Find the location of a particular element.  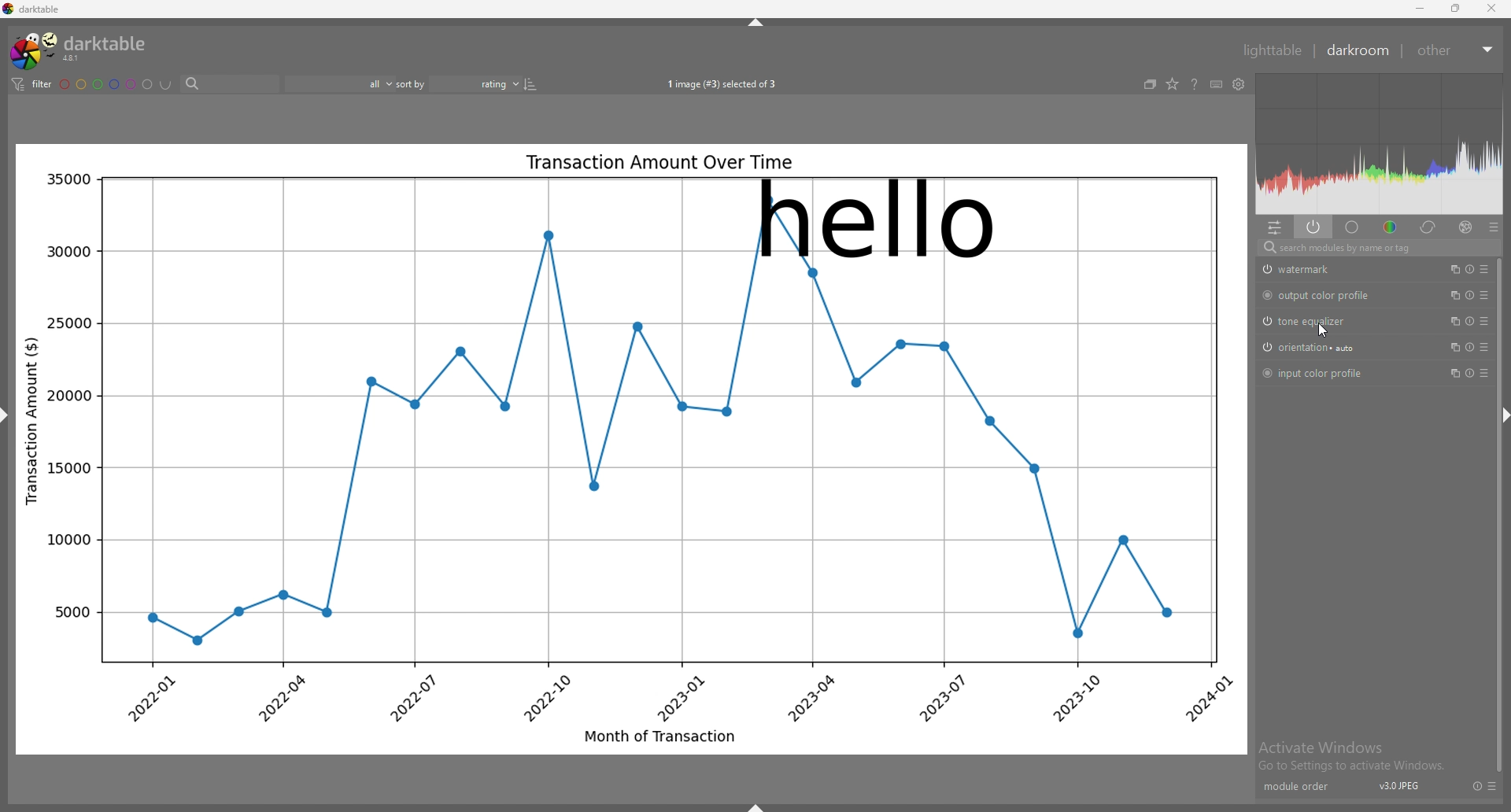

presets is located at coordinates (1493, 227).